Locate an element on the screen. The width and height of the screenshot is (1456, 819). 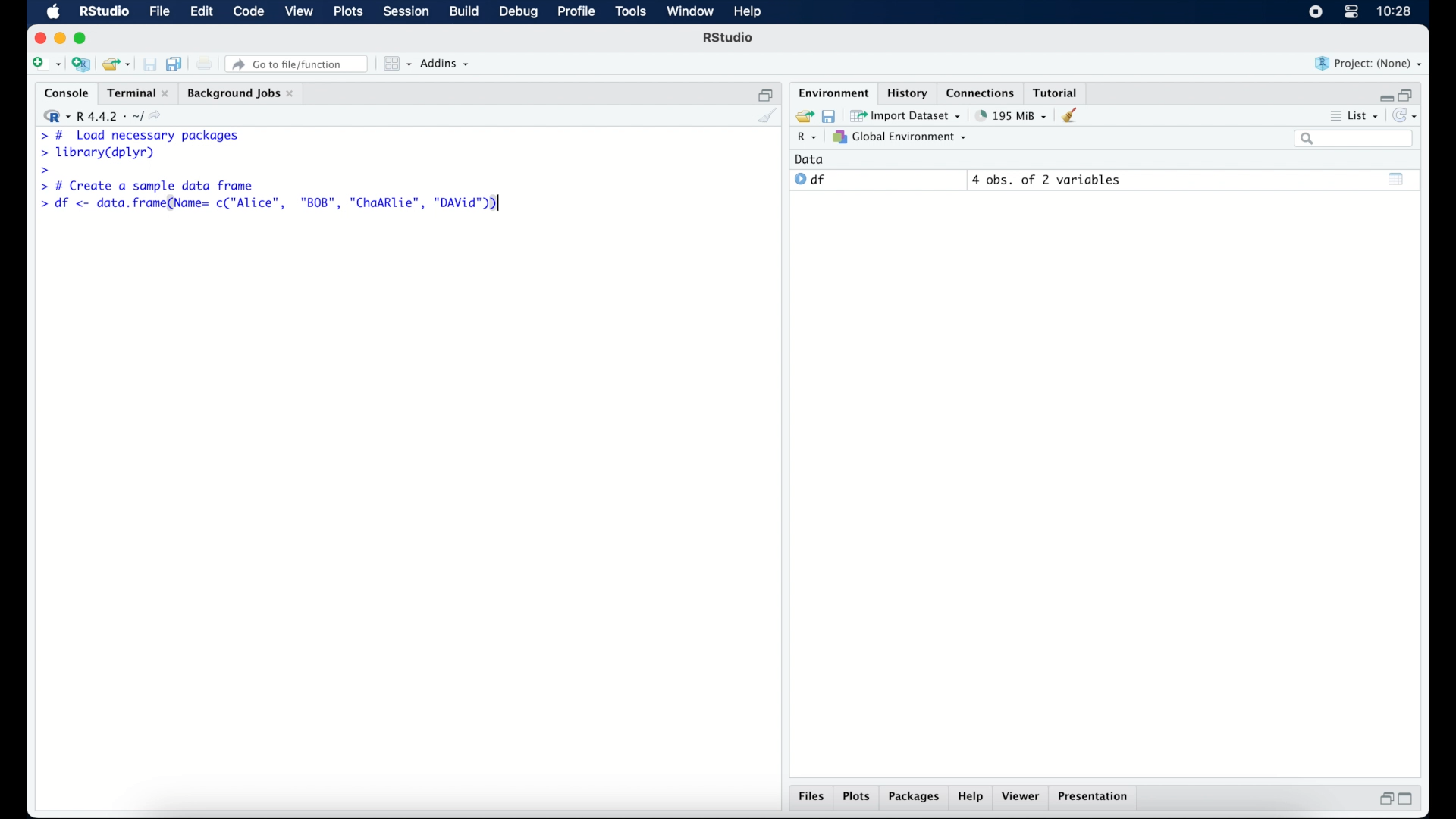
addins is located at coordinates (445, 64).